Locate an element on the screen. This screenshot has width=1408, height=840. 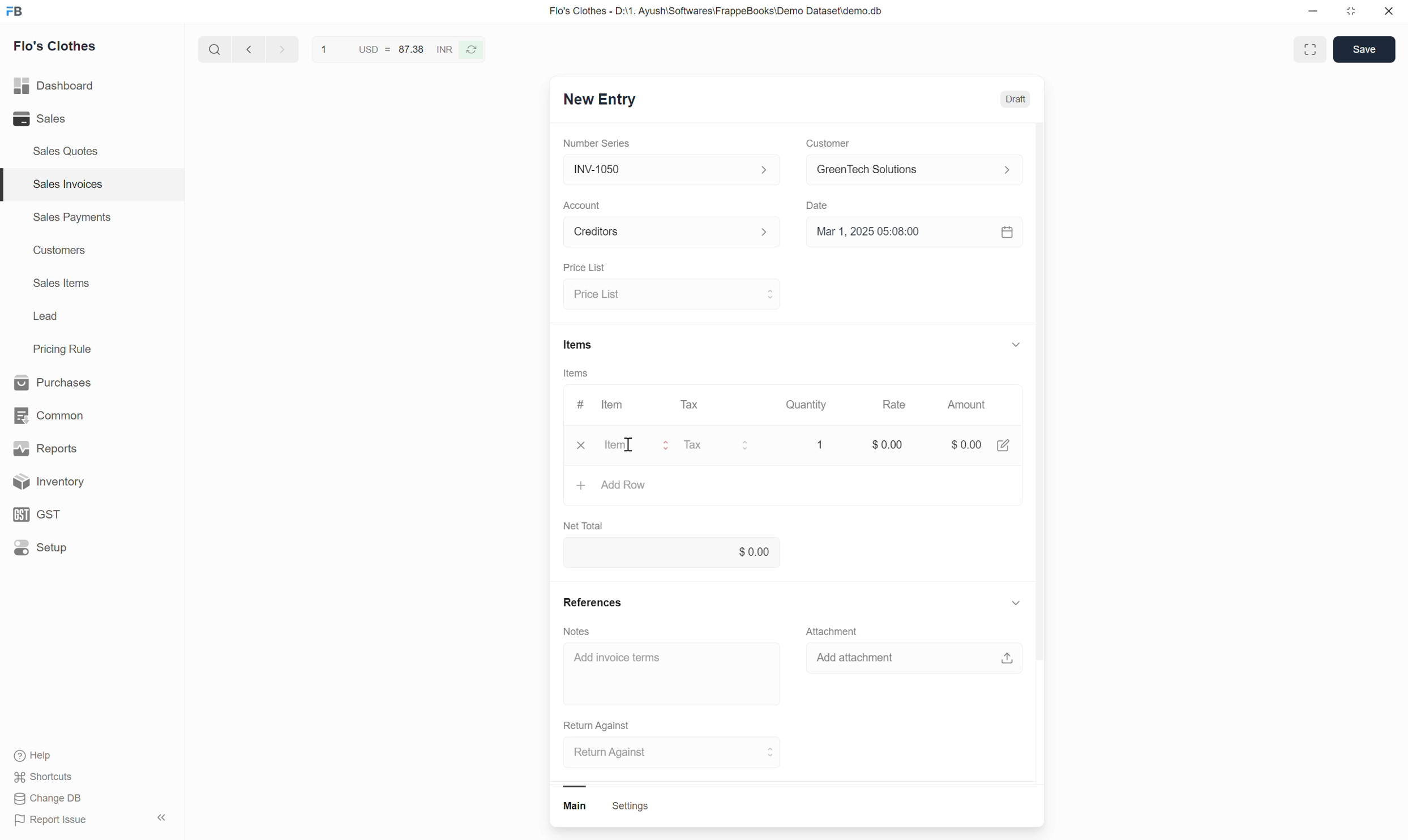
Item is located at coordinates (614, 405).